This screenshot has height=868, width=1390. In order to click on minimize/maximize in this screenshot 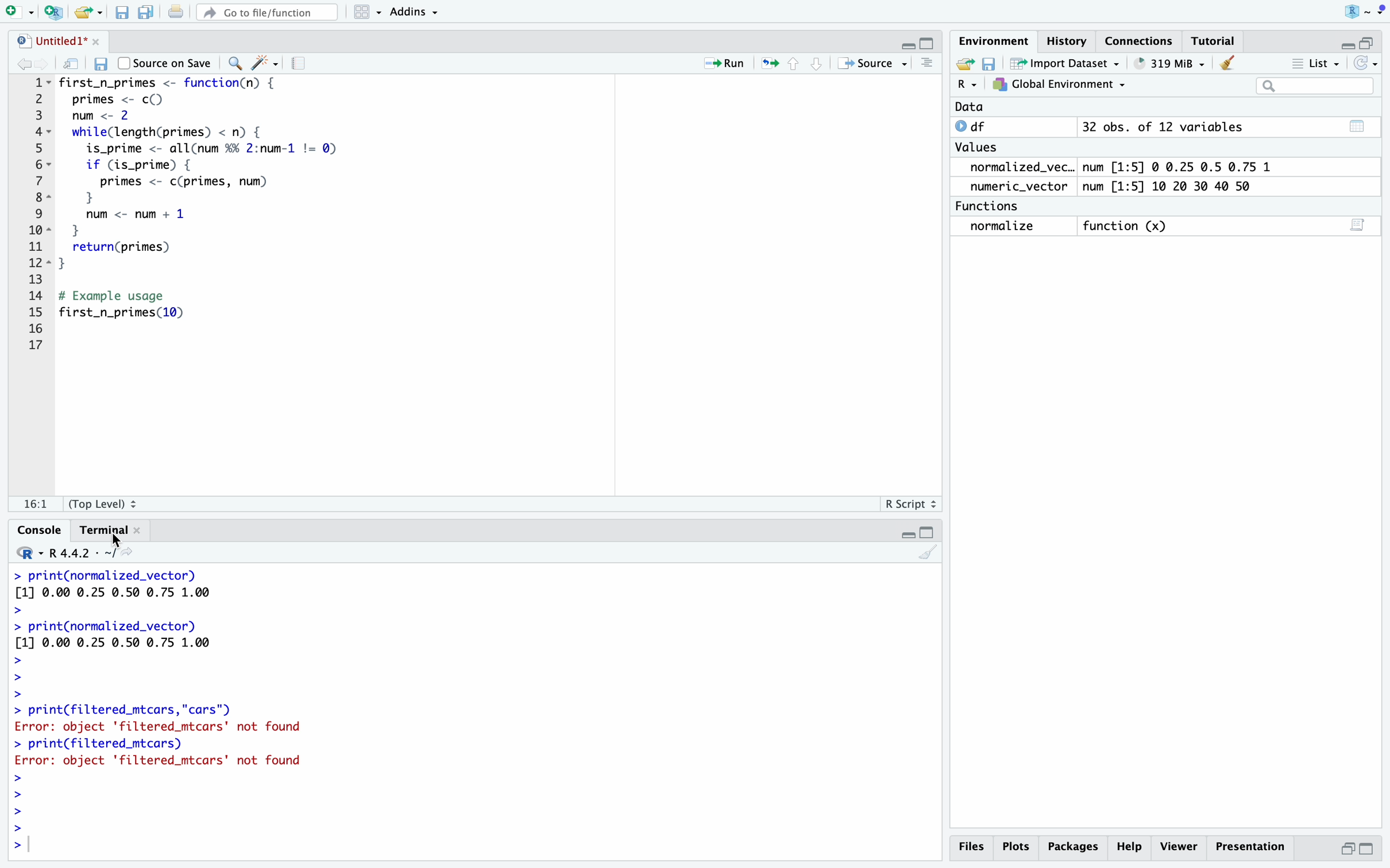, I will do `click(924, 527)`.